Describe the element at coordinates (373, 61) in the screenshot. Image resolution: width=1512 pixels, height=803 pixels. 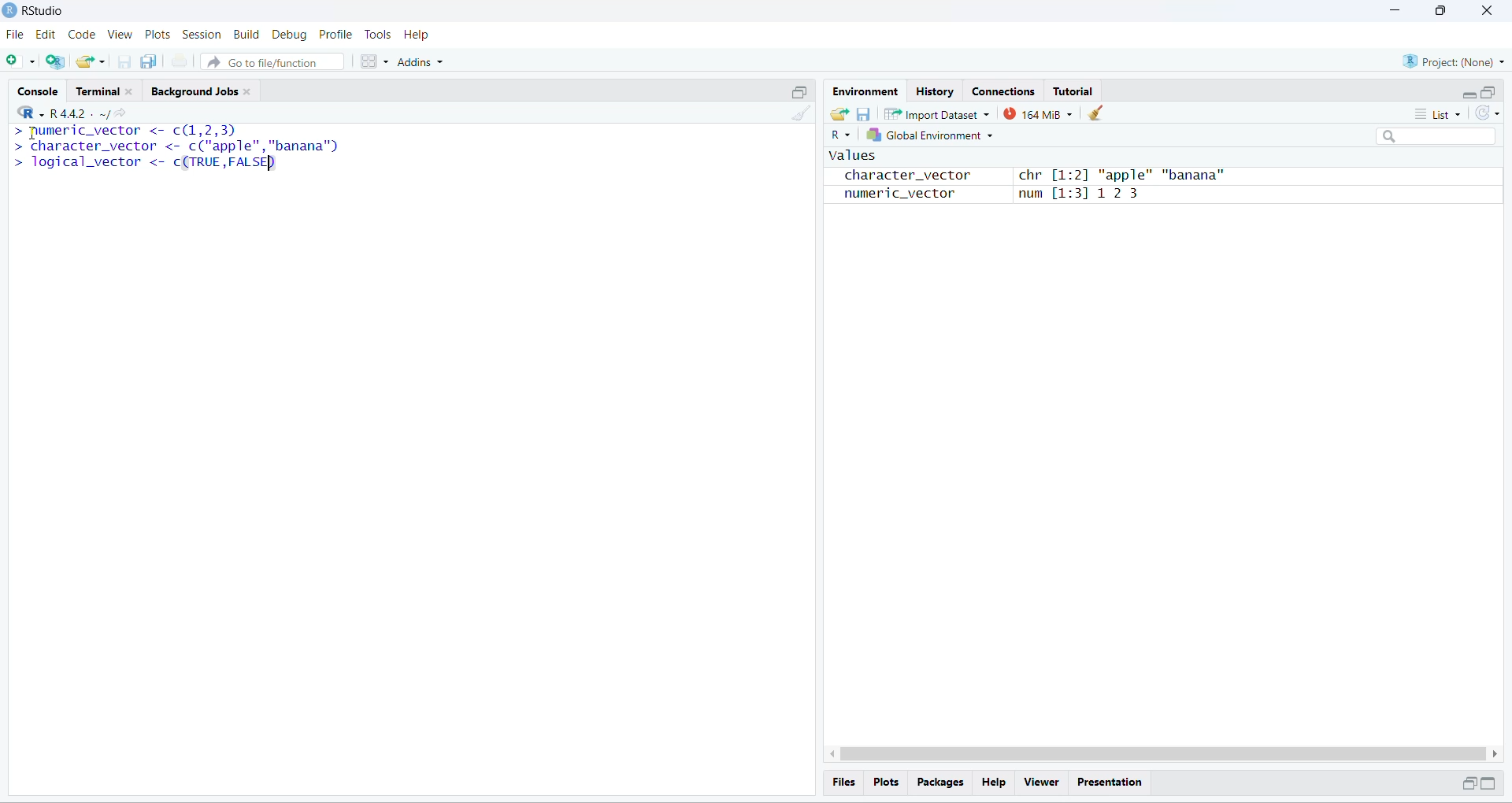
I see `workspace panes` at that location.